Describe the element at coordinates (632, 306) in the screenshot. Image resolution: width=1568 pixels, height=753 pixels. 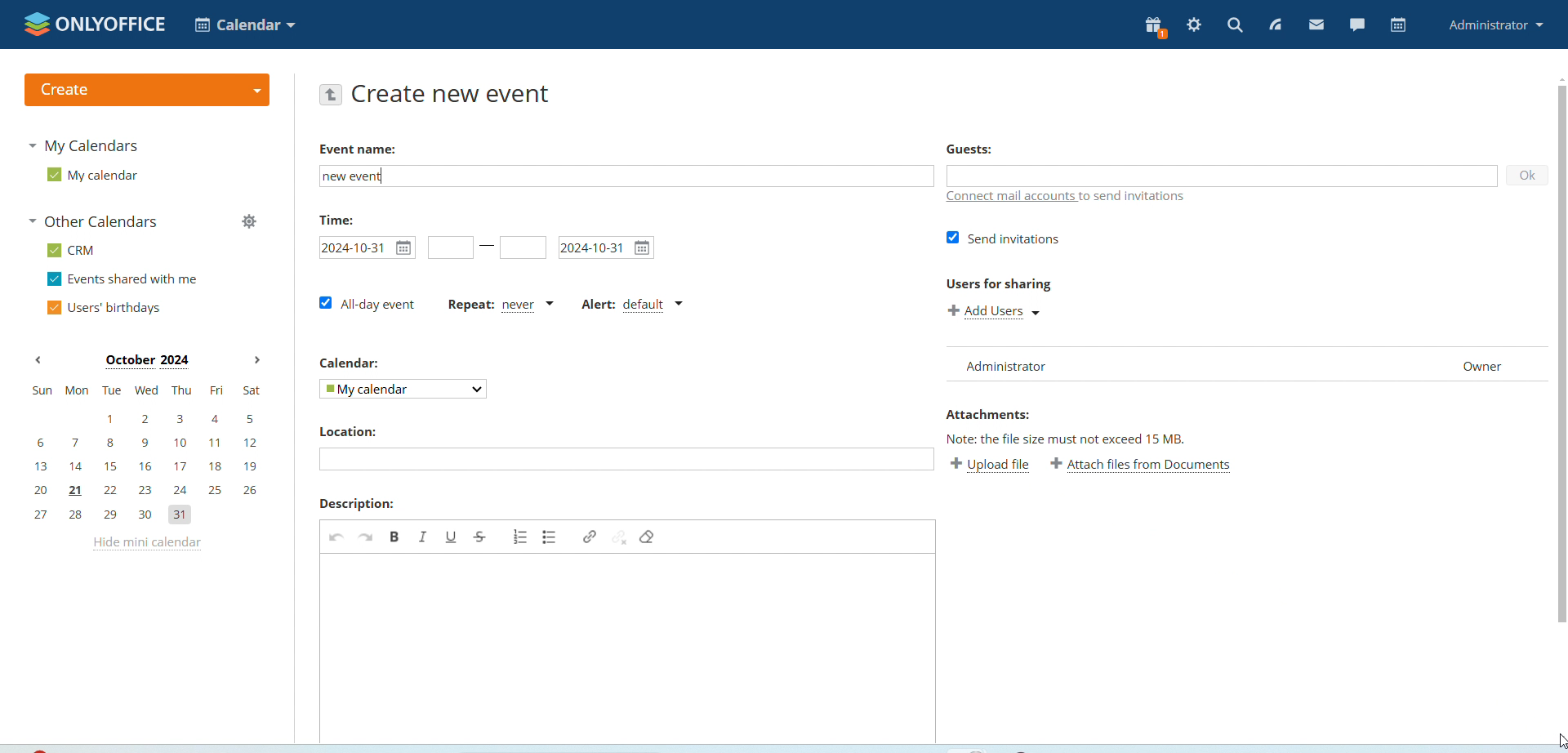
I see `alert dropdown` at that location.